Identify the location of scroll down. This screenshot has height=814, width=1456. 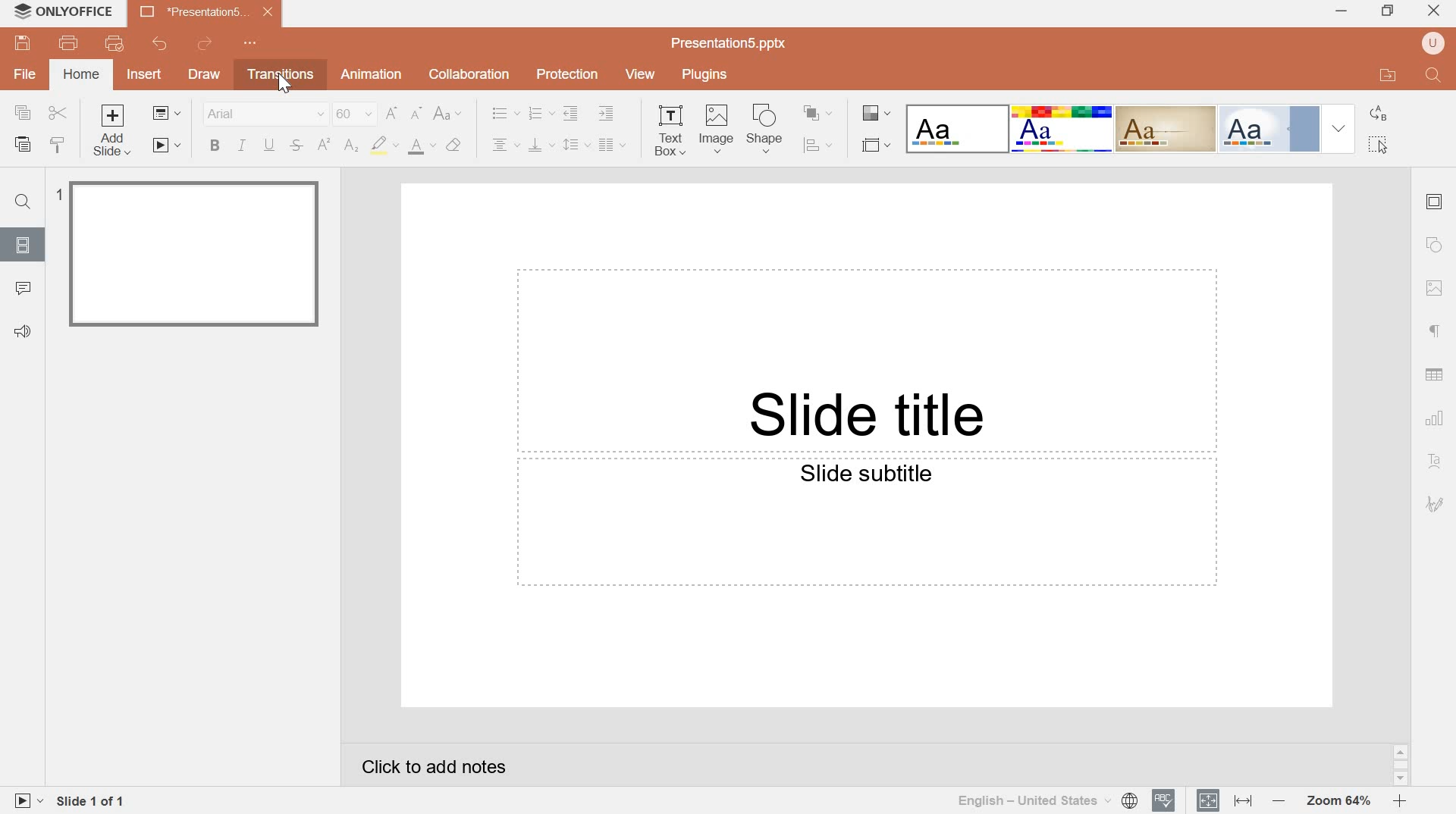
(1401, 780).